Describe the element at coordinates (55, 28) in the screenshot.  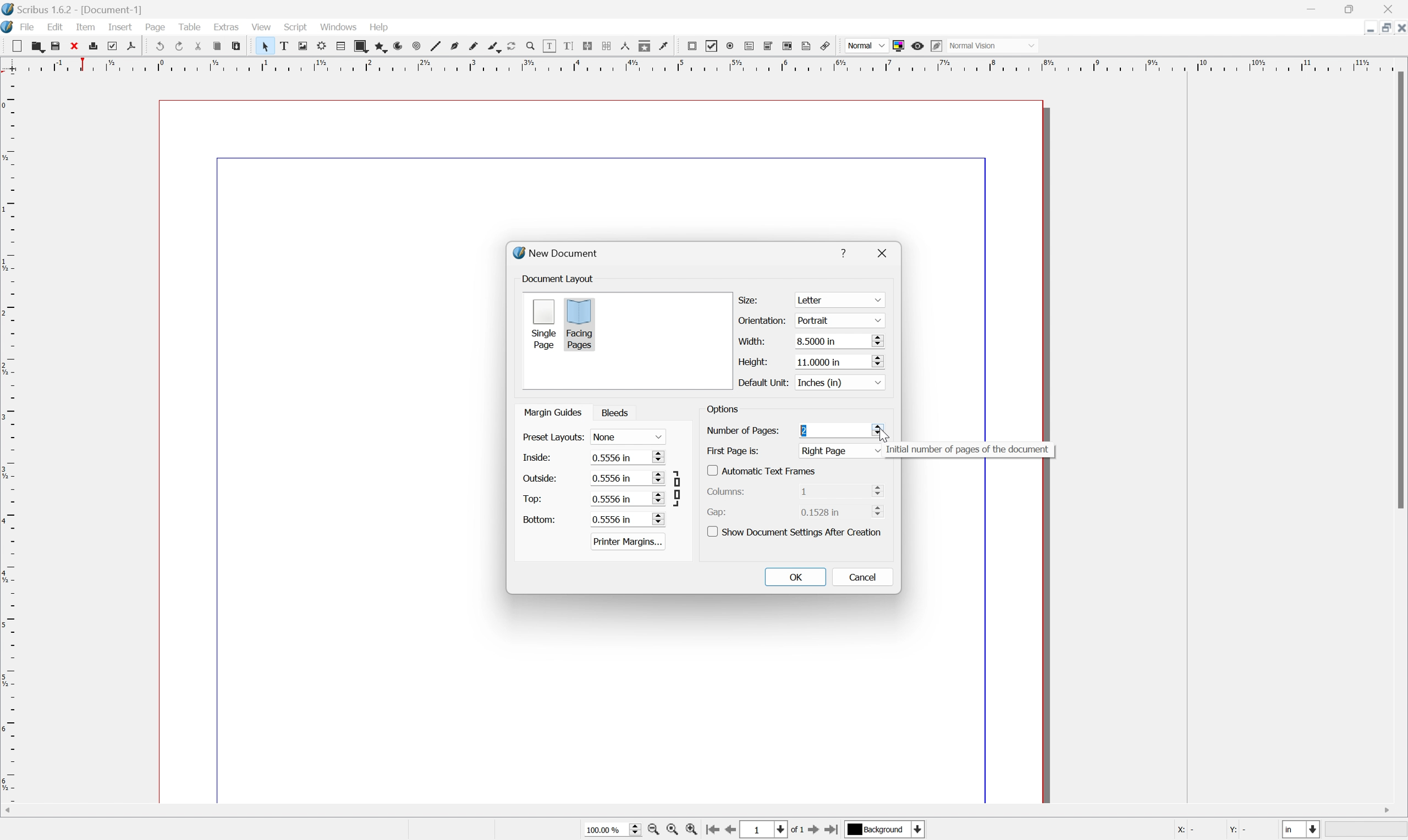
I see `Edit` at that location.